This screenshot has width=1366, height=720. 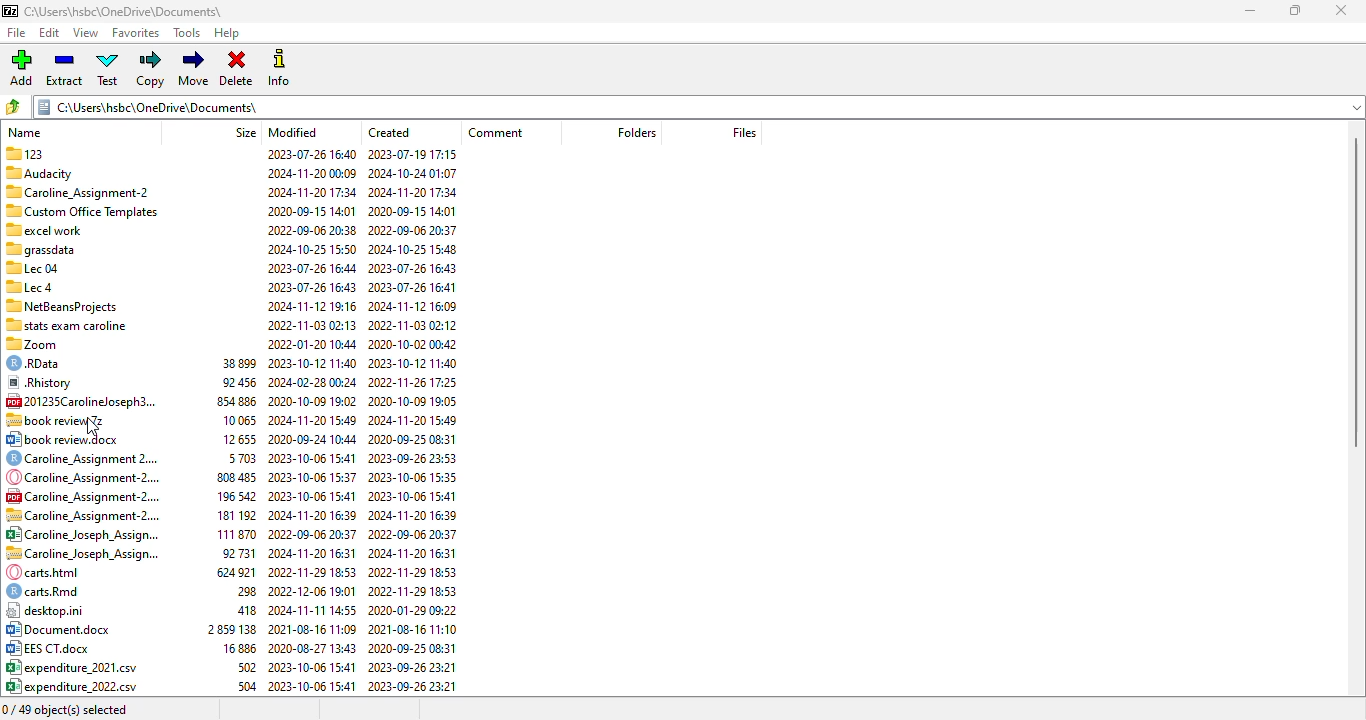 What do you see at coordinates (13, 106) in the screenshot?
I see `browse folders` at bounding box center [13, 106].